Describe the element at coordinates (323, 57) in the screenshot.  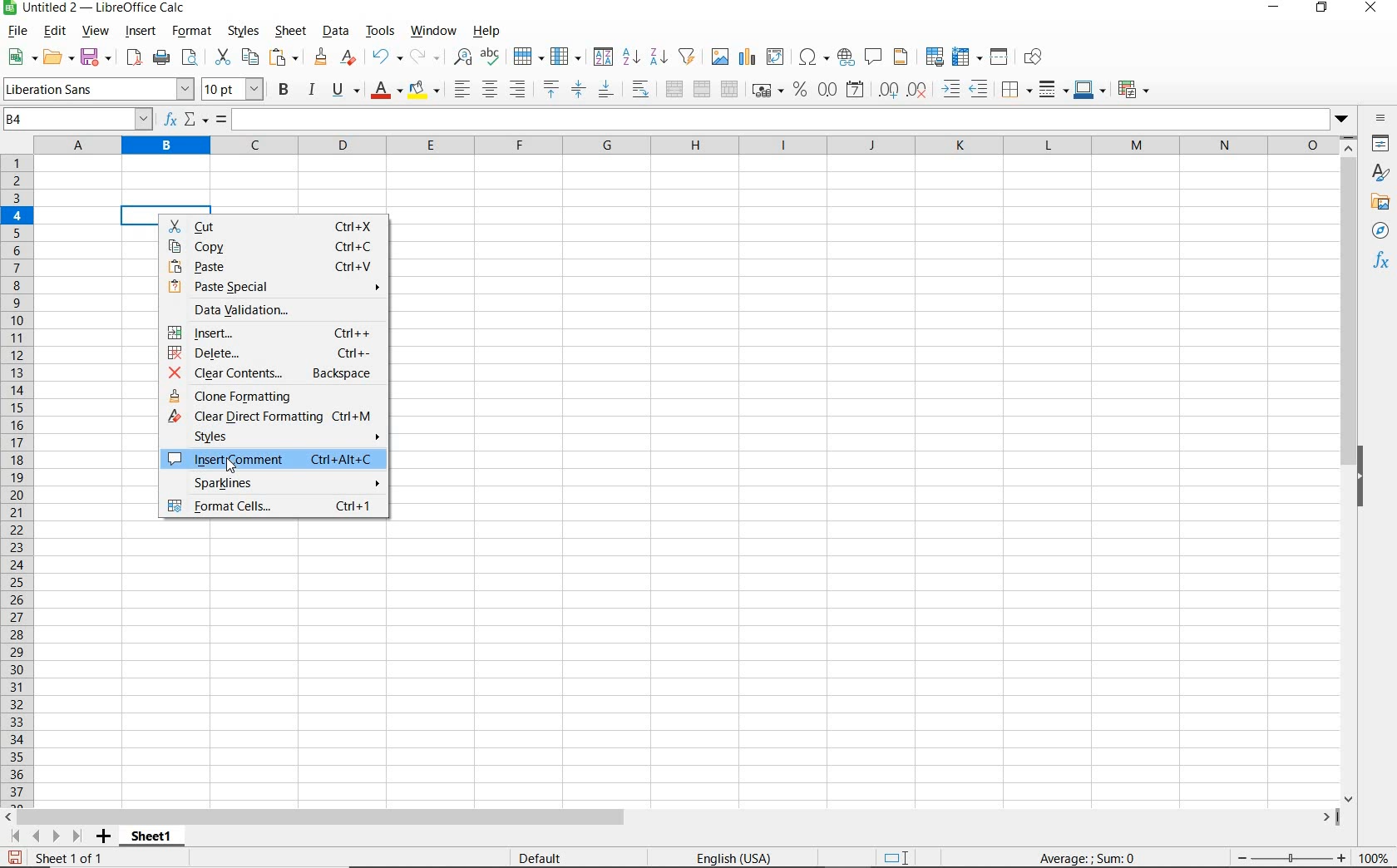
I see `clone formatting` at that location.